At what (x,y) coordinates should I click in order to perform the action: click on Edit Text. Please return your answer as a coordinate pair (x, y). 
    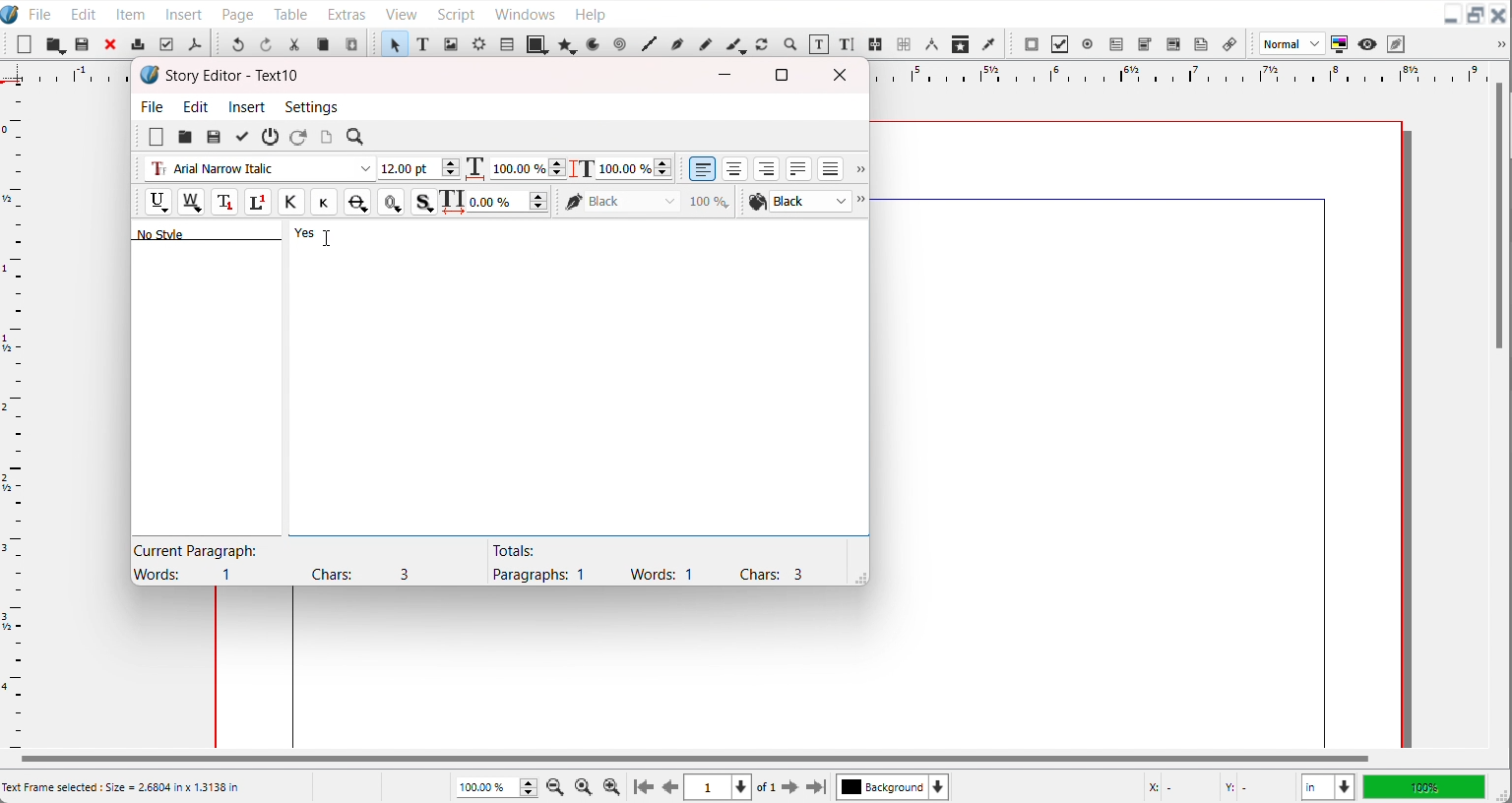
    Looking at the image, I should click on (849, 45).